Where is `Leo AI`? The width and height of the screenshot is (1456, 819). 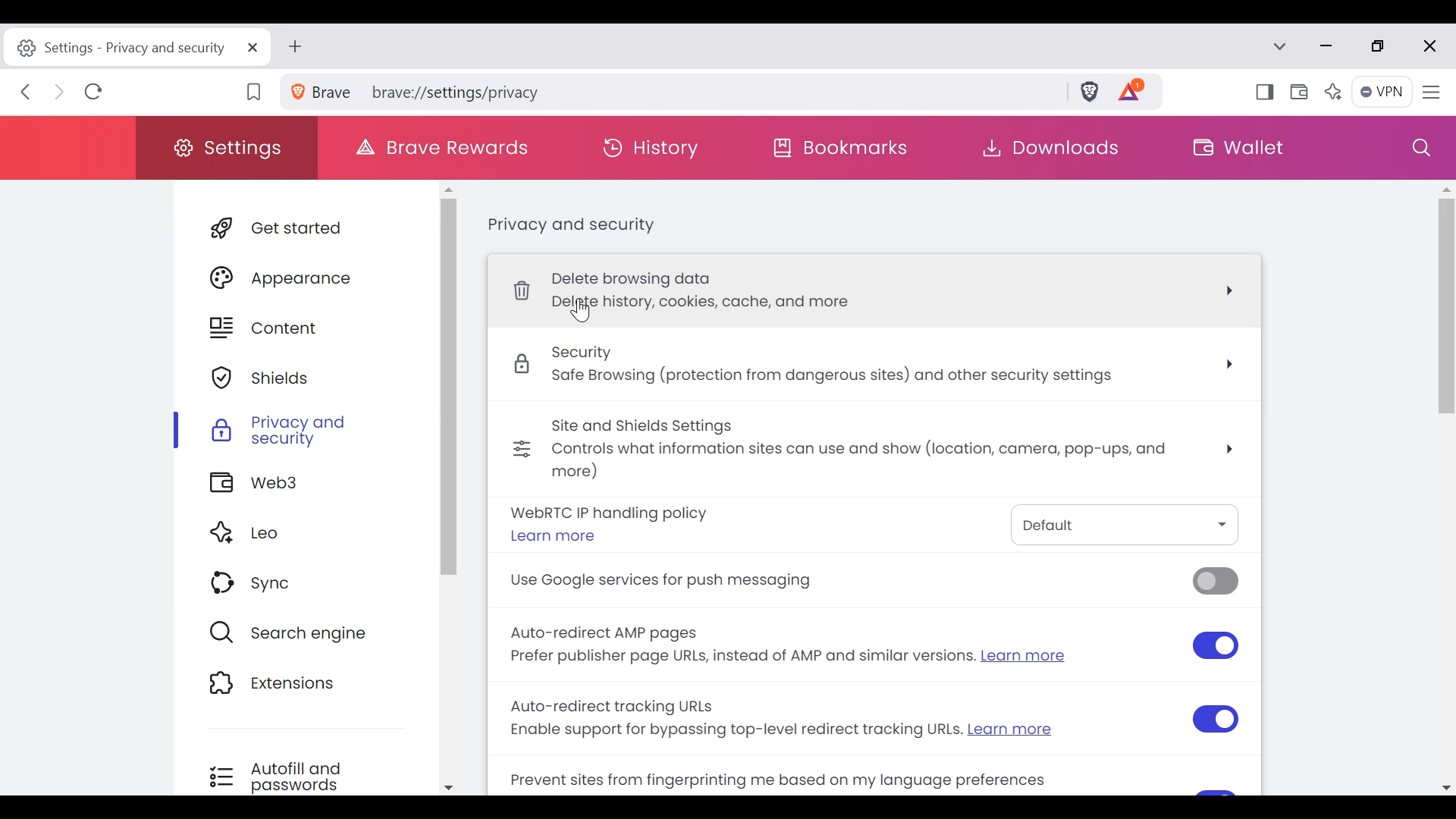
Leo AI is located at coordinates (1335, 92).